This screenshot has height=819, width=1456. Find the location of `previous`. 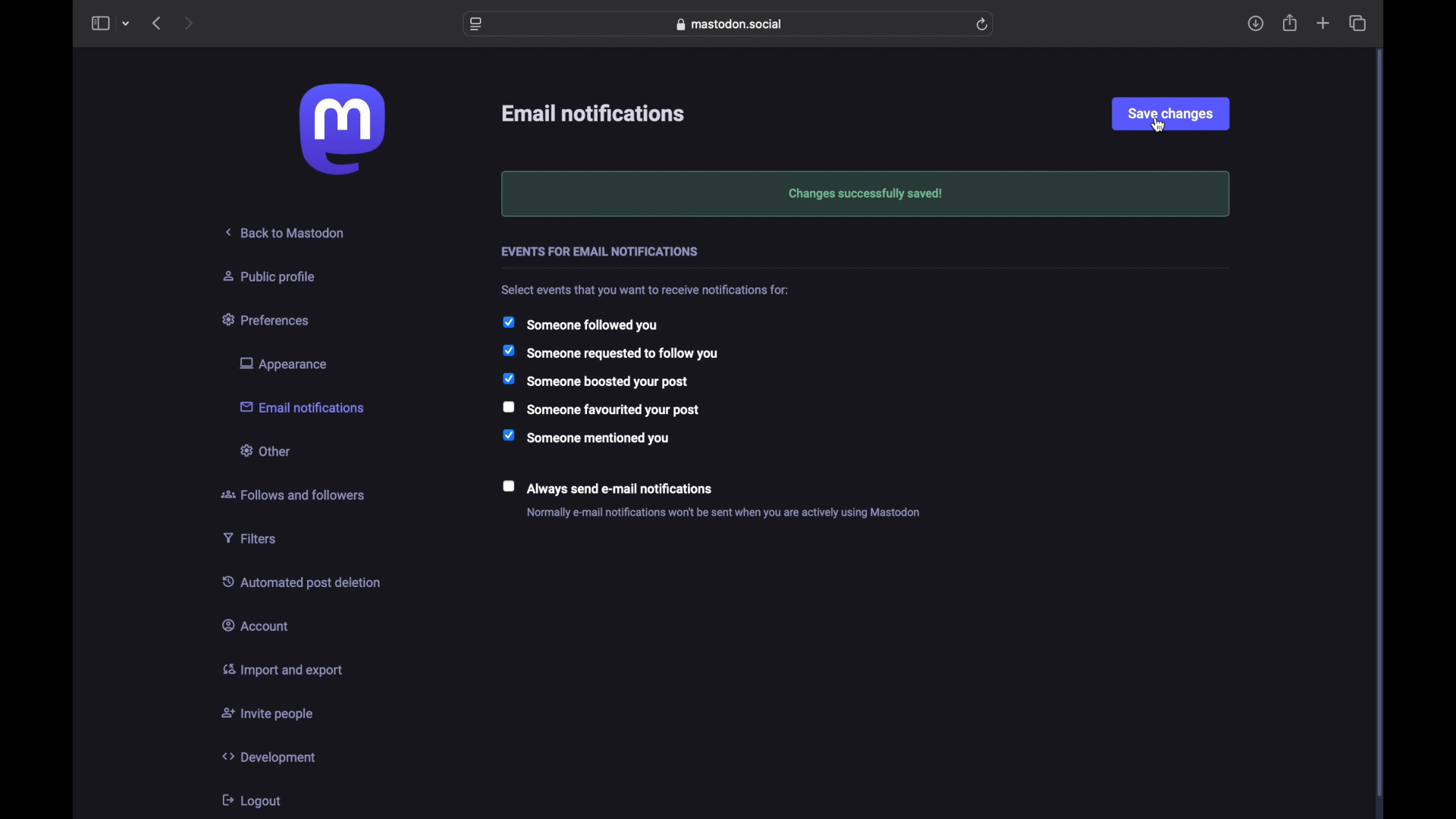

previous is located at coordinates (156, 23).